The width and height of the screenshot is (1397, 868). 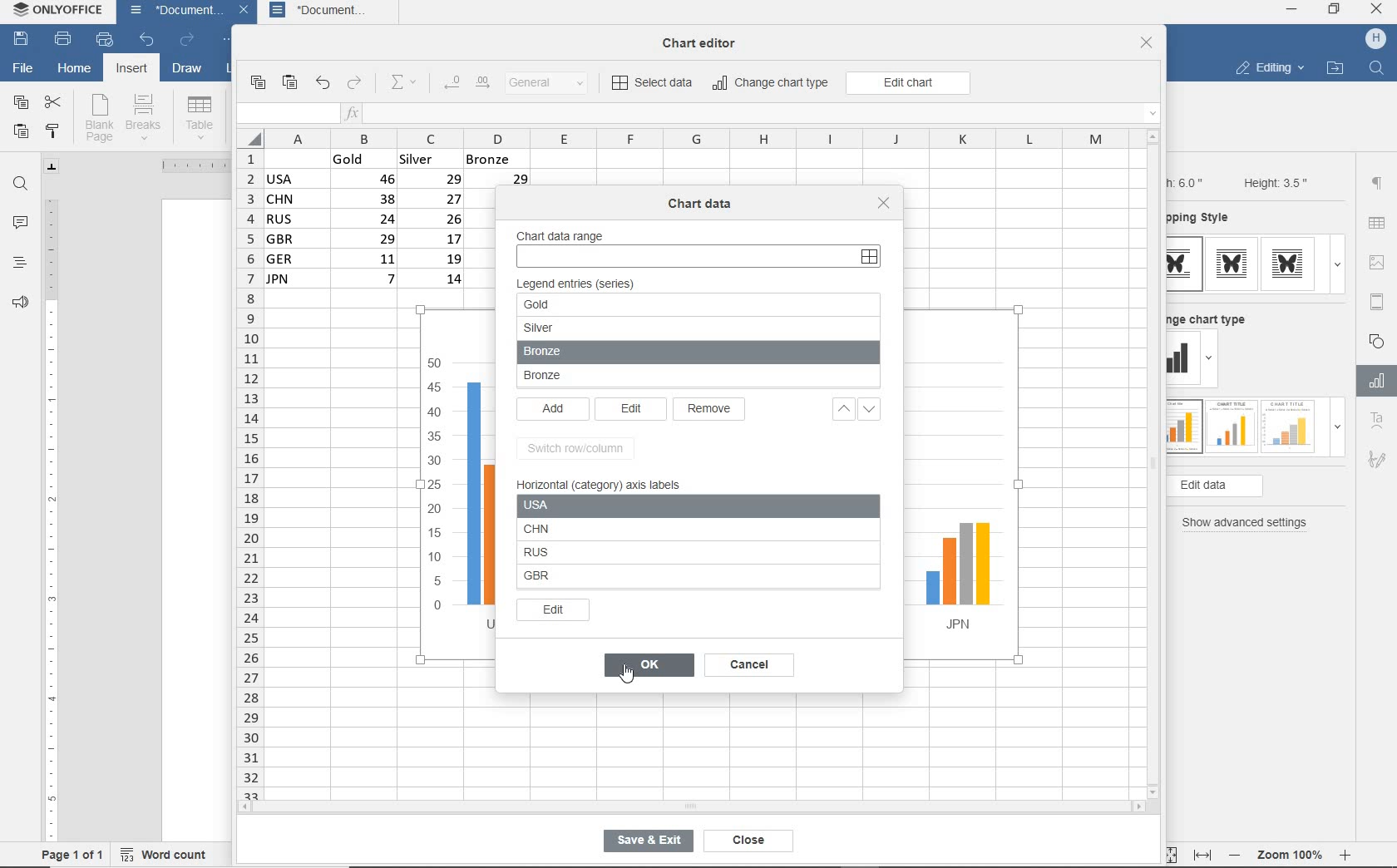 What do you see at coordinates (580, 449) in the screenshot?
I see `switch row/column` at bounding box center [580, 449].